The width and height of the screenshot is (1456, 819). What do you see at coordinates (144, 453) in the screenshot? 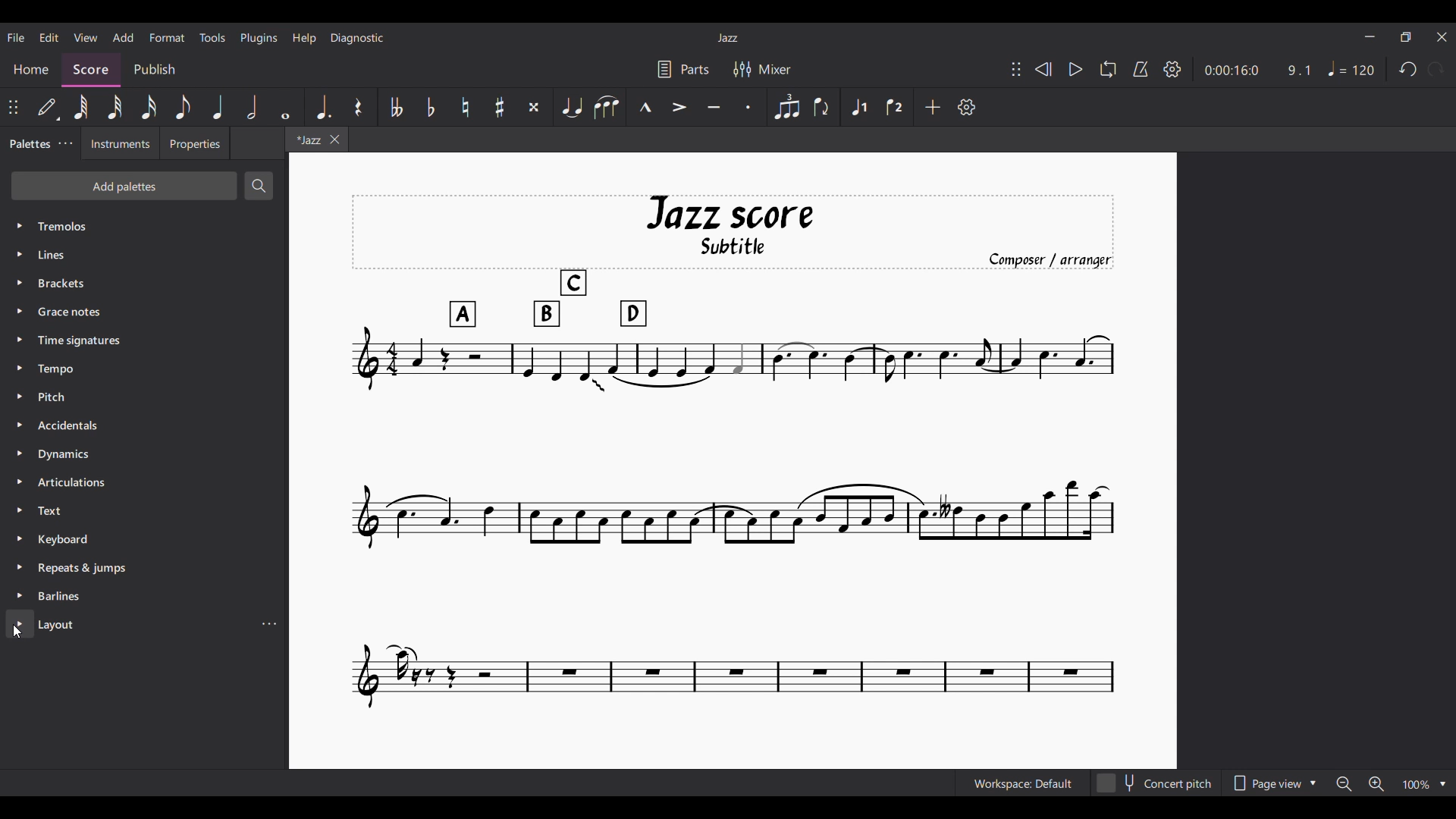
I see `Dynamics` at bounding box center [144, 453].